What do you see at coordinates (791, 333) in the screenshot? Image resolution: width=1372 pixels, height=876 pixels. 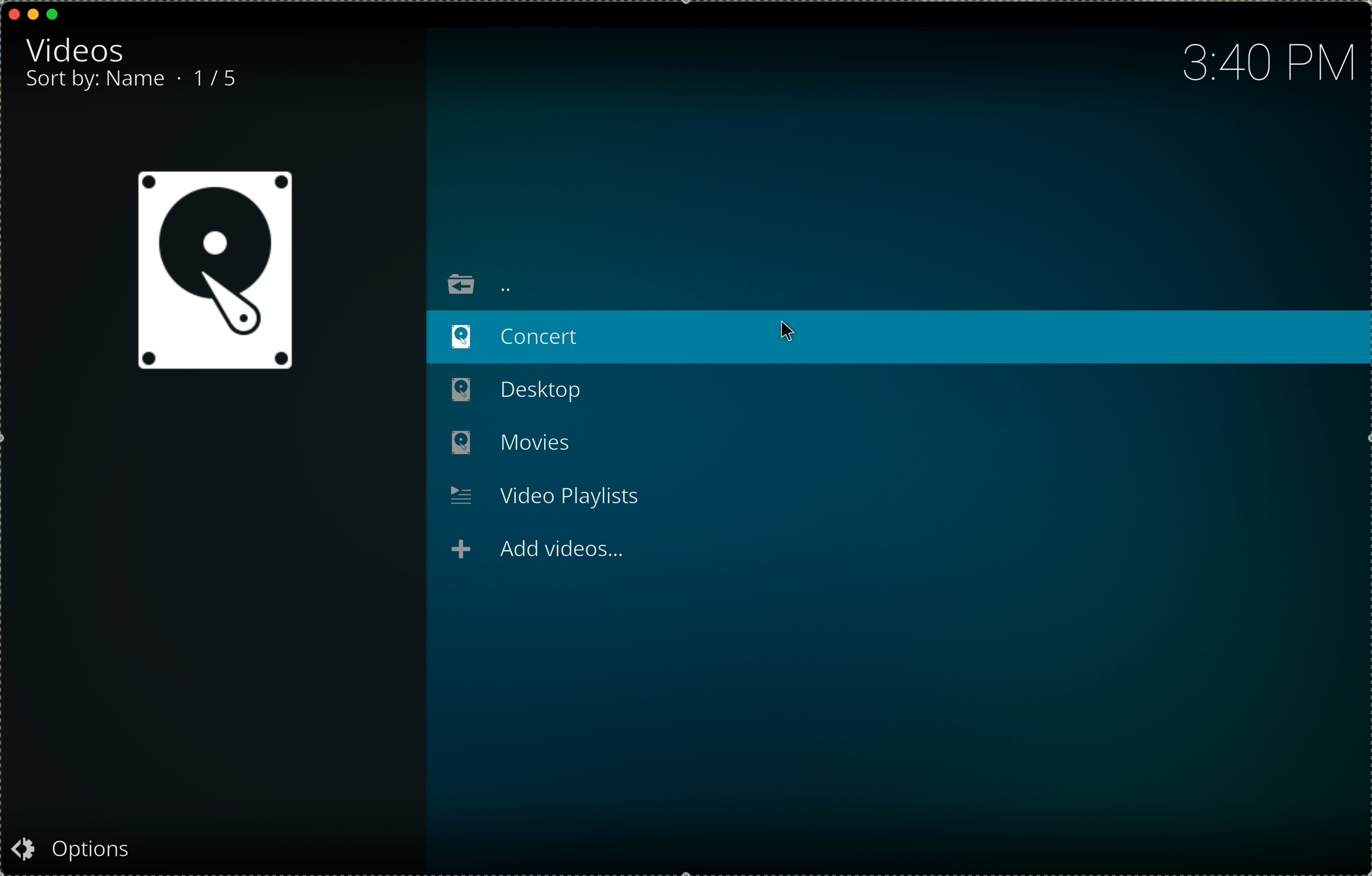 I see `cursor` at bounding box center [791, 333].